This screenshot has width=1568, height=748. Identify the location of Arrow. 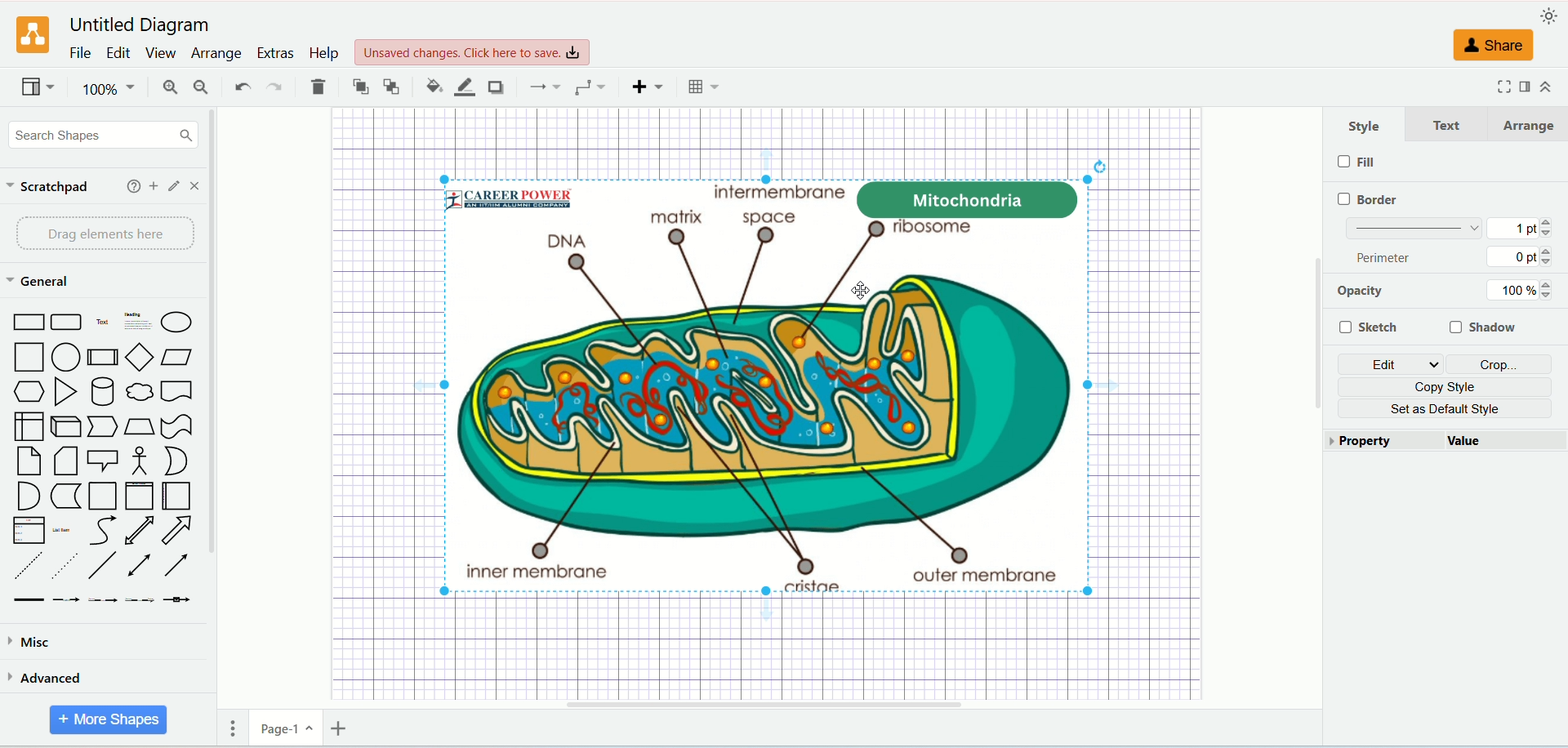
(177, 532).